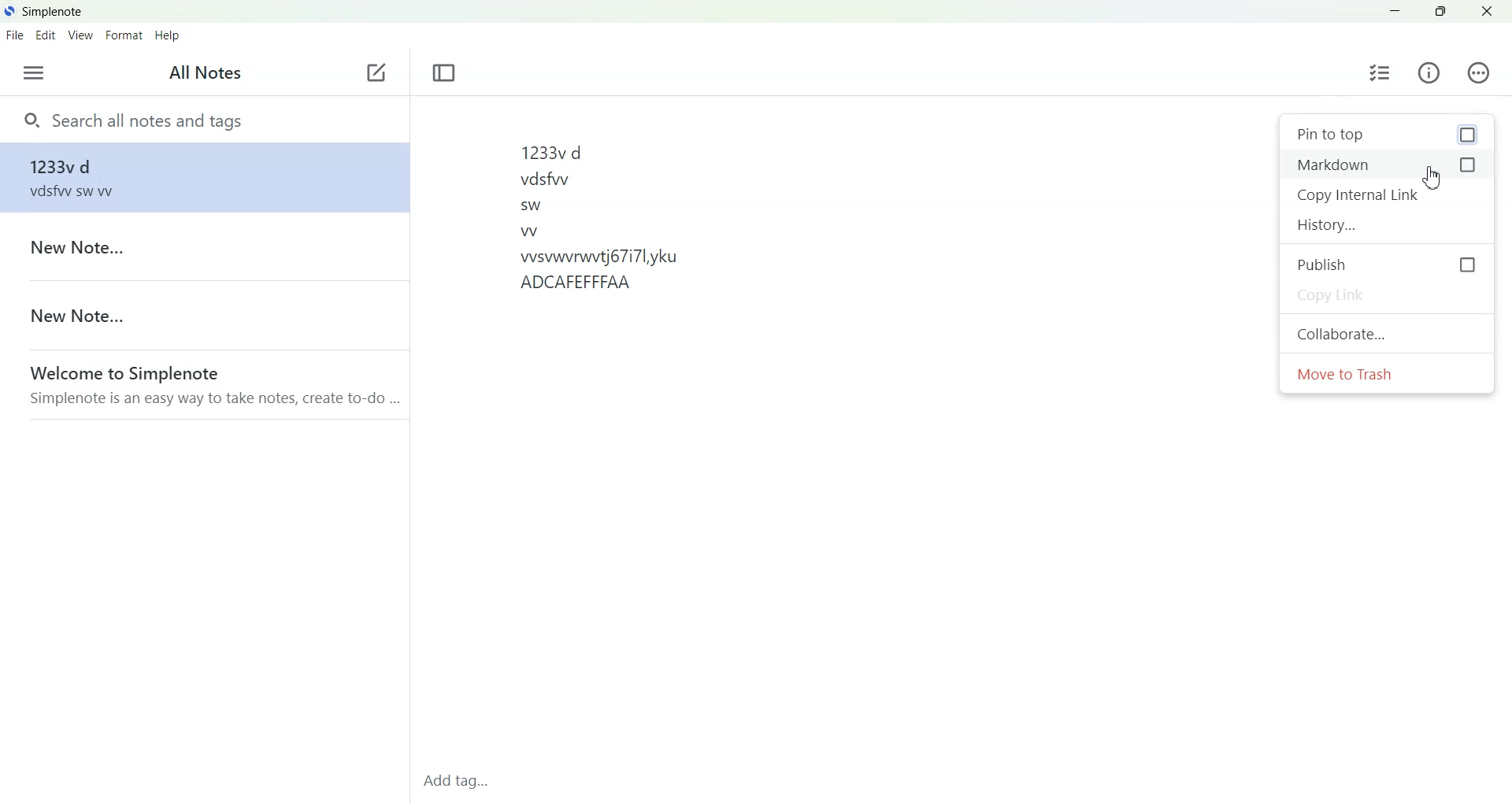 This screenshot has height=803, width=1512. I want to click on View, so click(81, 35).